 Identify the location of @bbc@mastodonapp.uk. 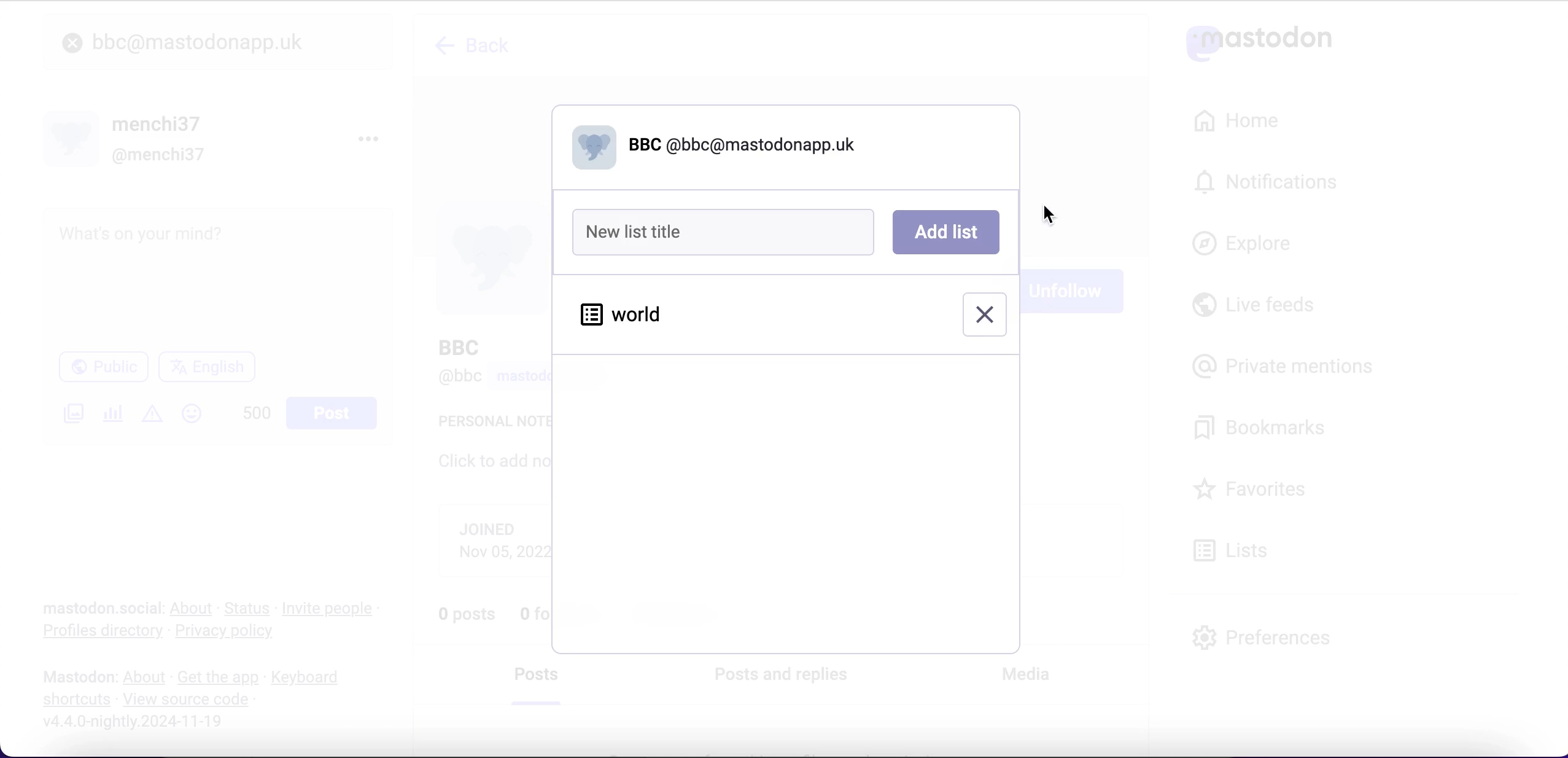
(715, 146).